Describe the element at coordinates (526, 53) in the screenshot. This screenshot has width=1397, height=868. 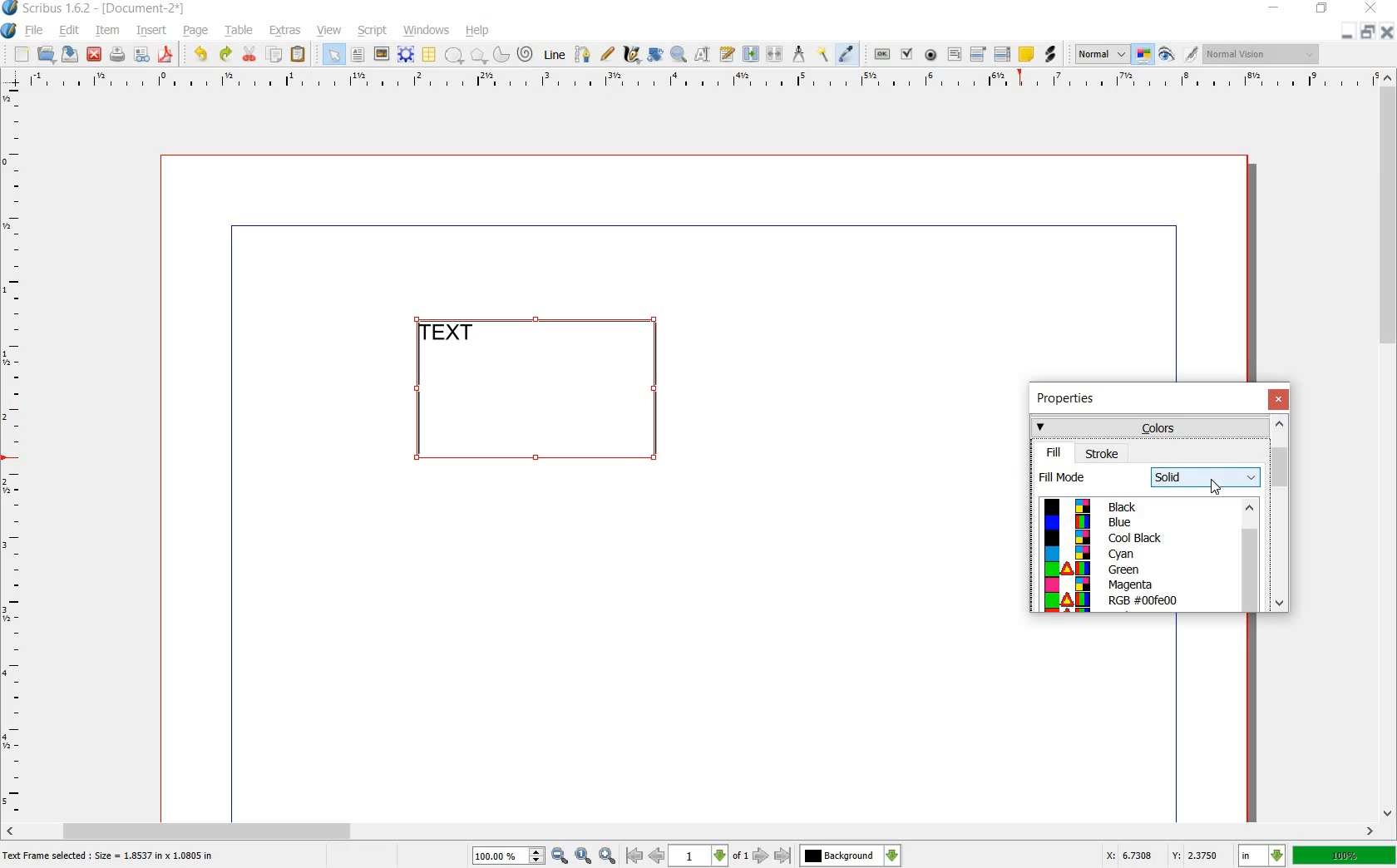
I see `spiral` at that location.